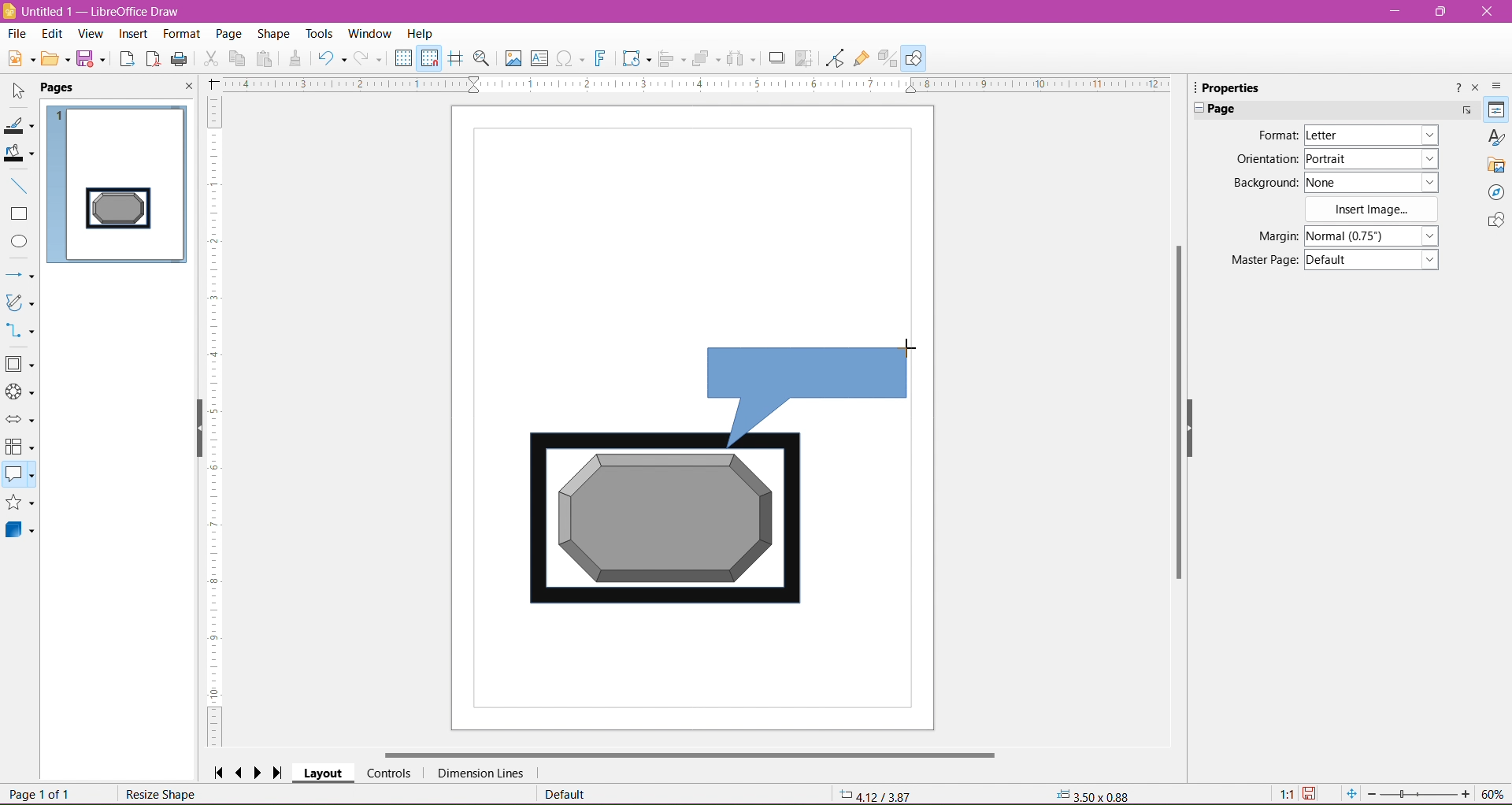  I want to click on Minimize, so click(1396, 10).